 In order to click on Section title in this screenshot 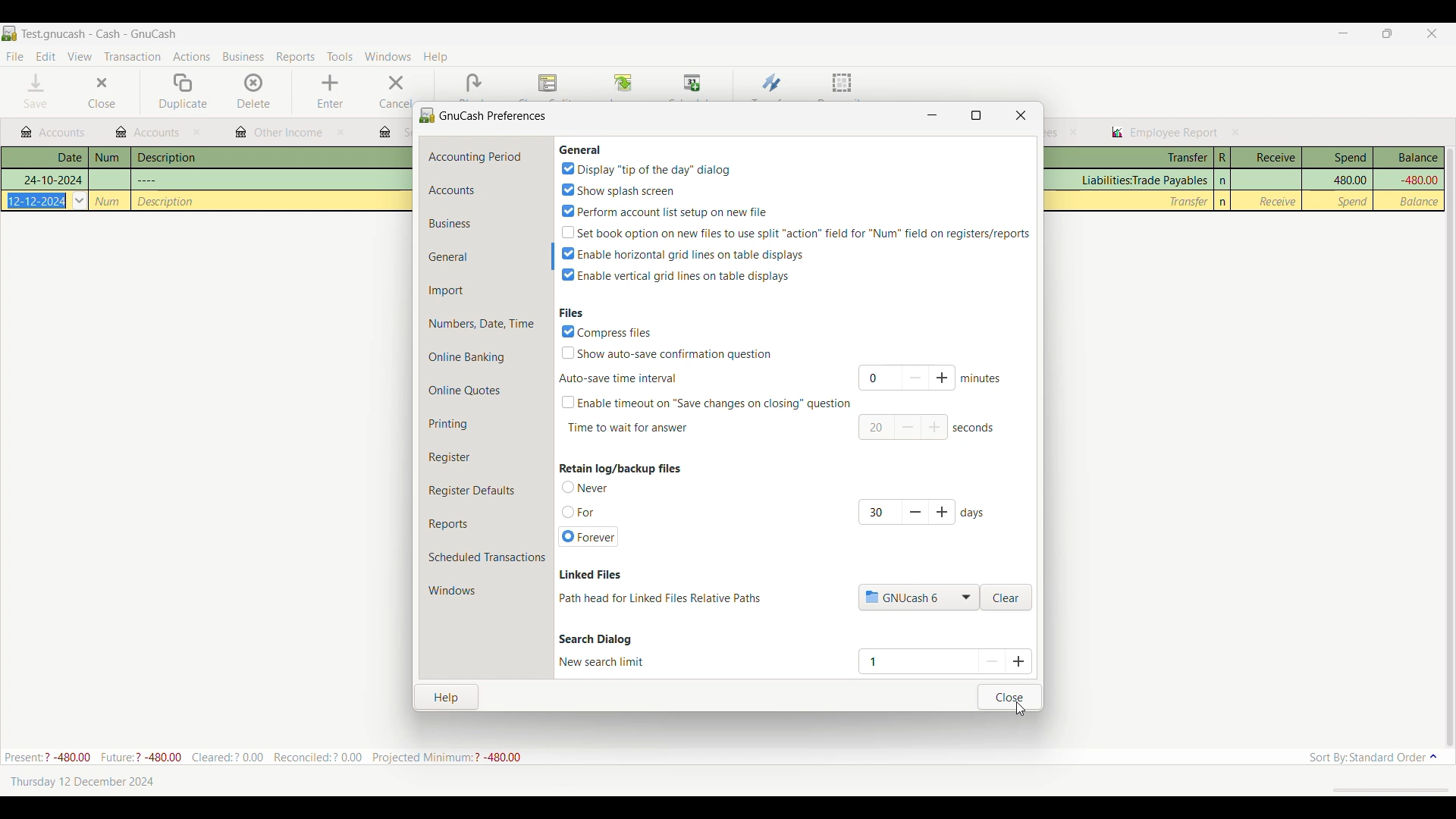, I will do `click(595, 639)`.